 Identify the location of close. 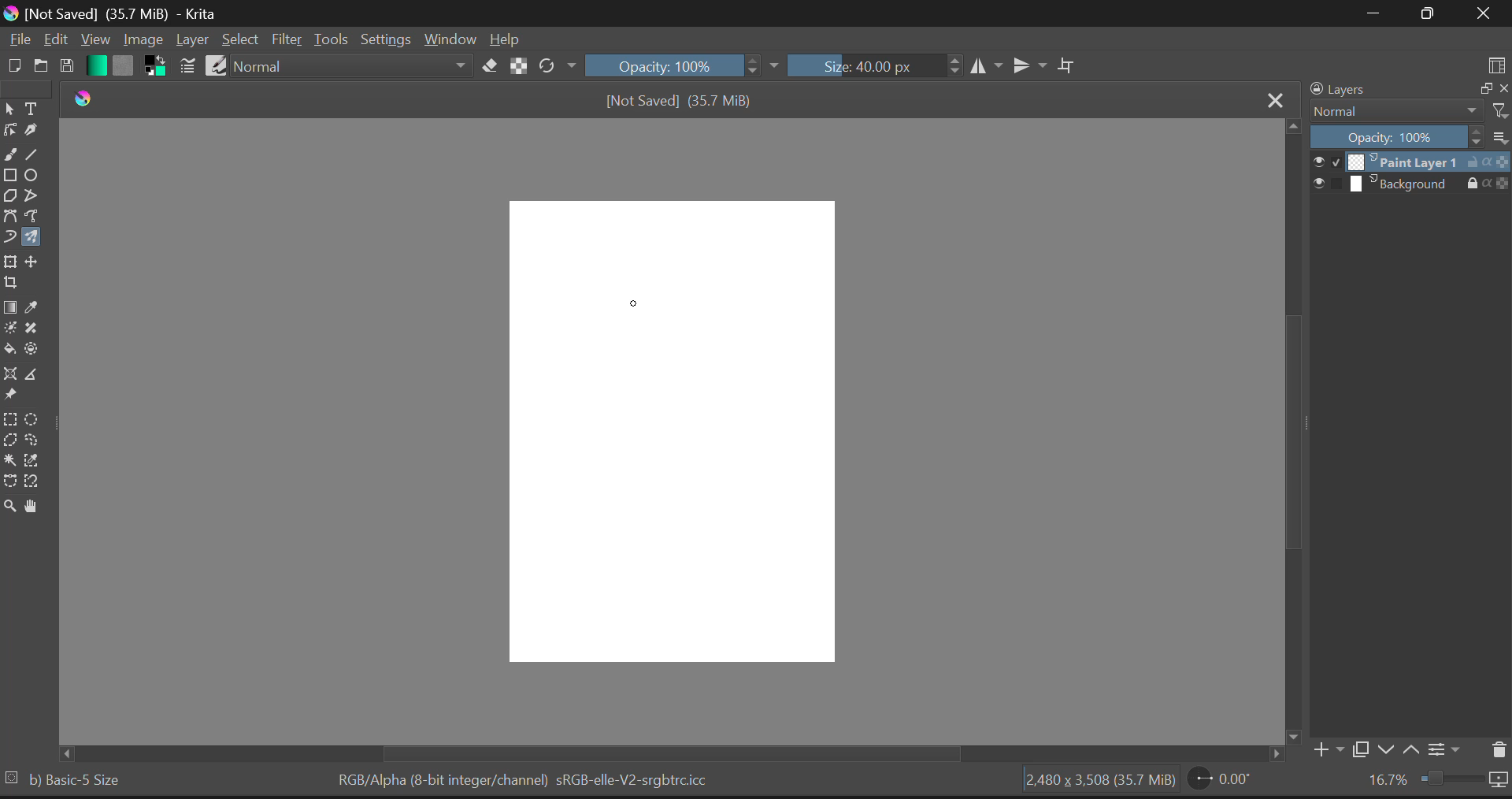
(1503, 89).